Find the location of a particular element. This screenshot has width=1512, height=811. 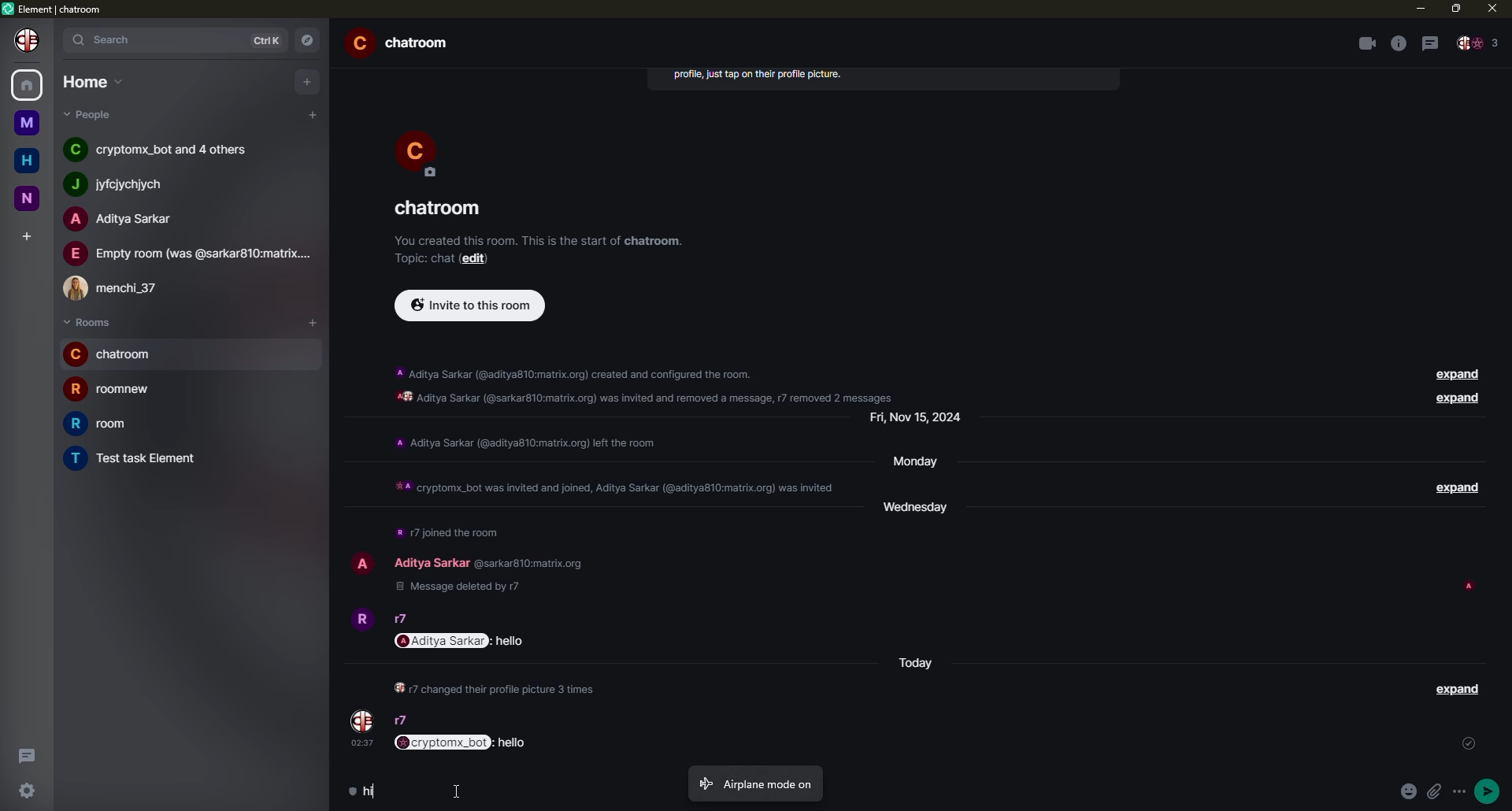

people is located at coordinates (126, 183).